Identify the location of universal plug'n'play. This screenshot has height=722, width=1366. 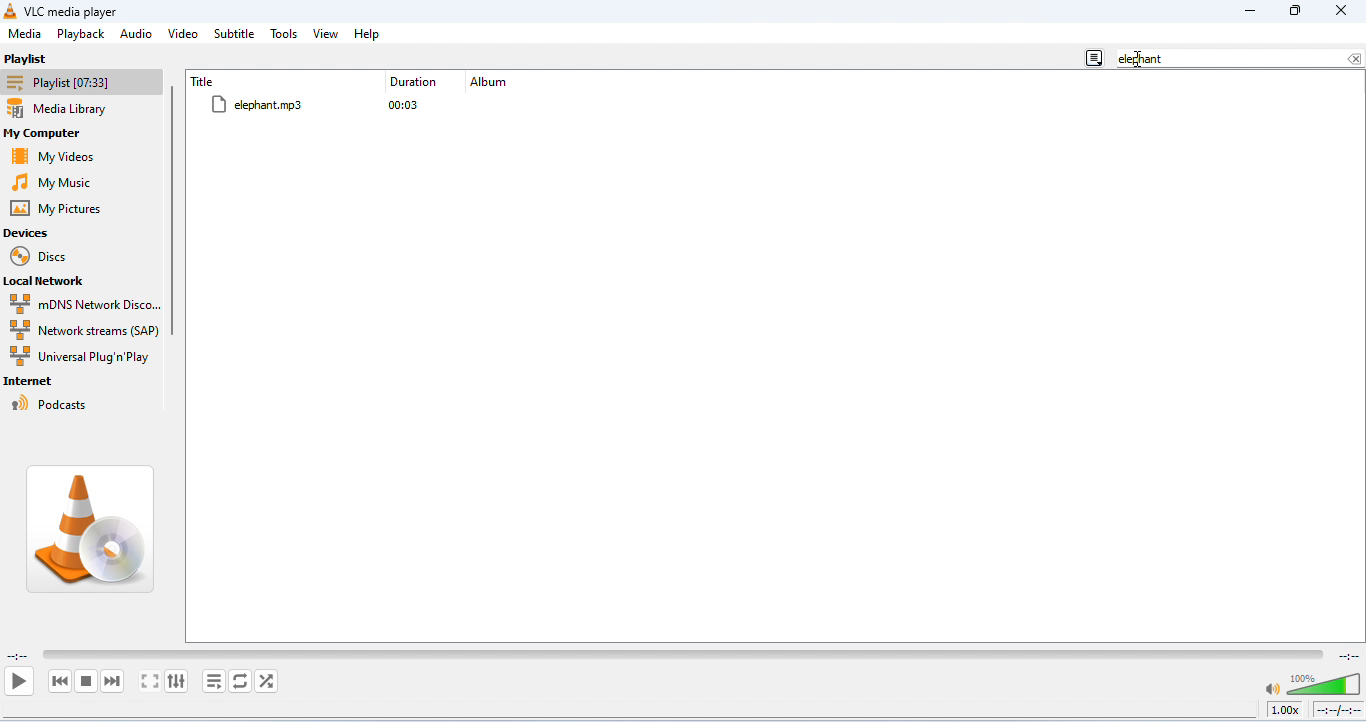
(81, 358).